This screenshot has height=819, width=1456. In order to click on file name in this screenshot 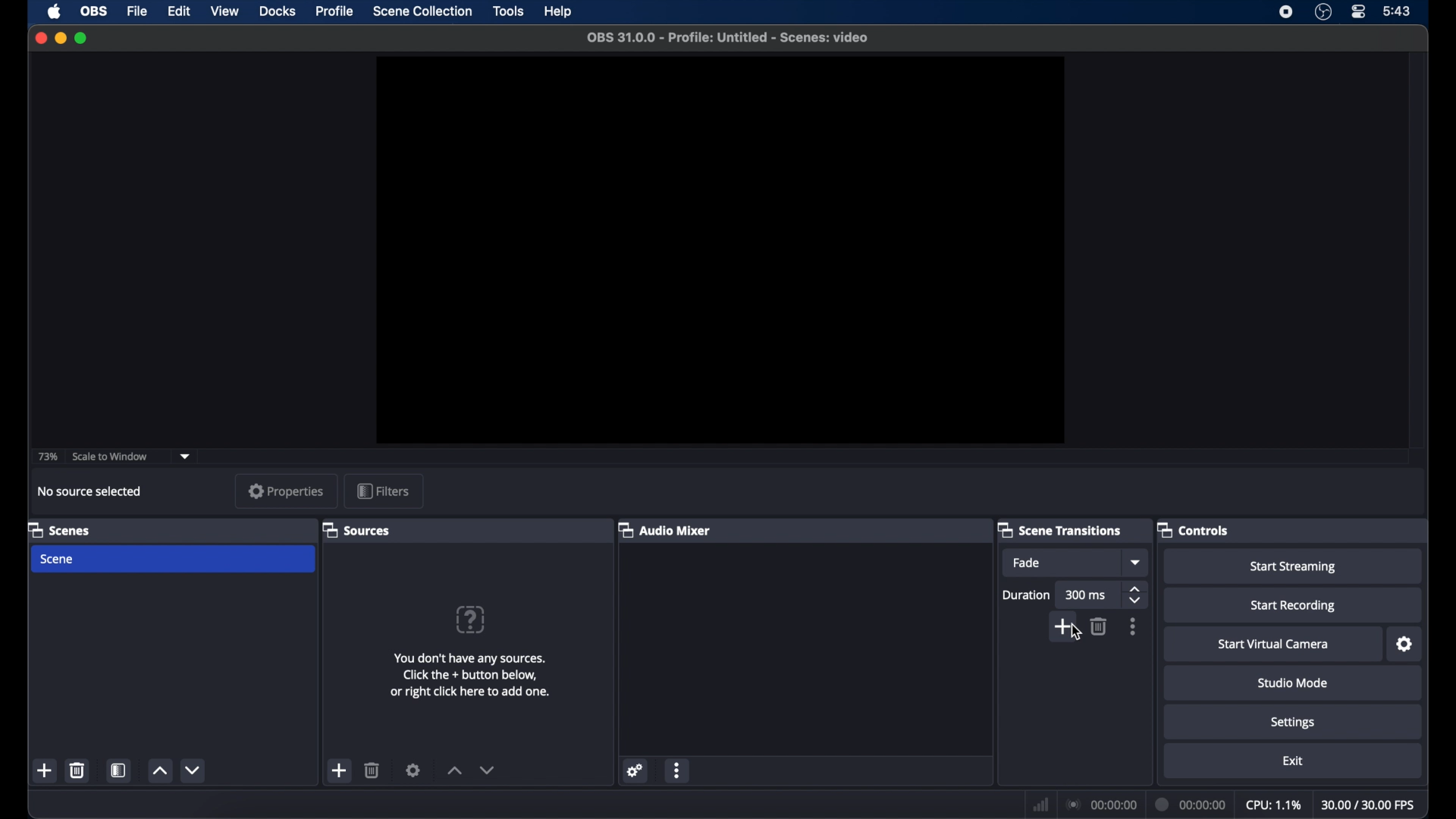, I will do `click(730, 37)`.